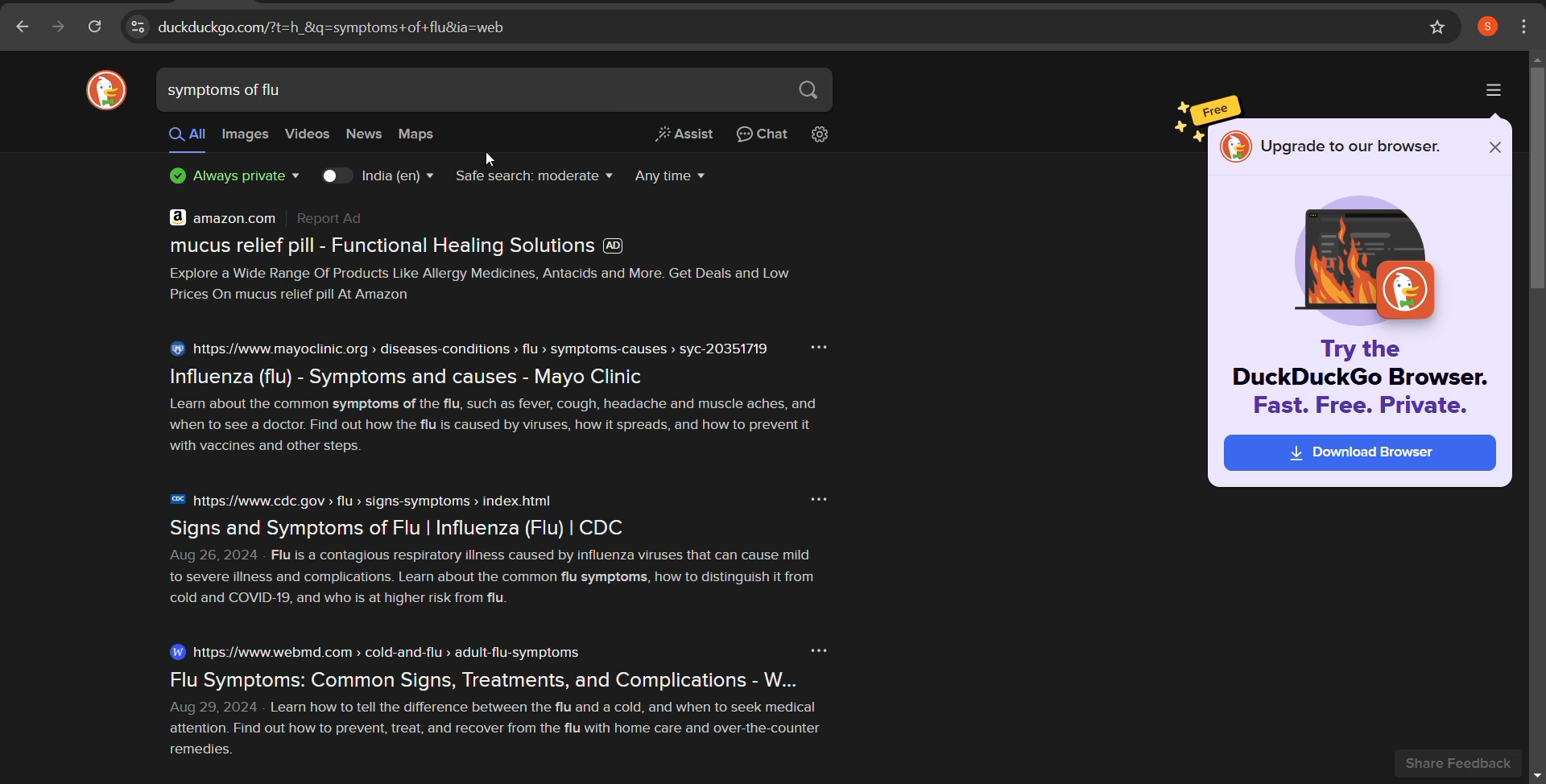 The width and height of the screenshot is (1546, 784). What do you see at coordinates (94, 29) in the screenshot?
I see `reload` at bounding box center [94, 29].